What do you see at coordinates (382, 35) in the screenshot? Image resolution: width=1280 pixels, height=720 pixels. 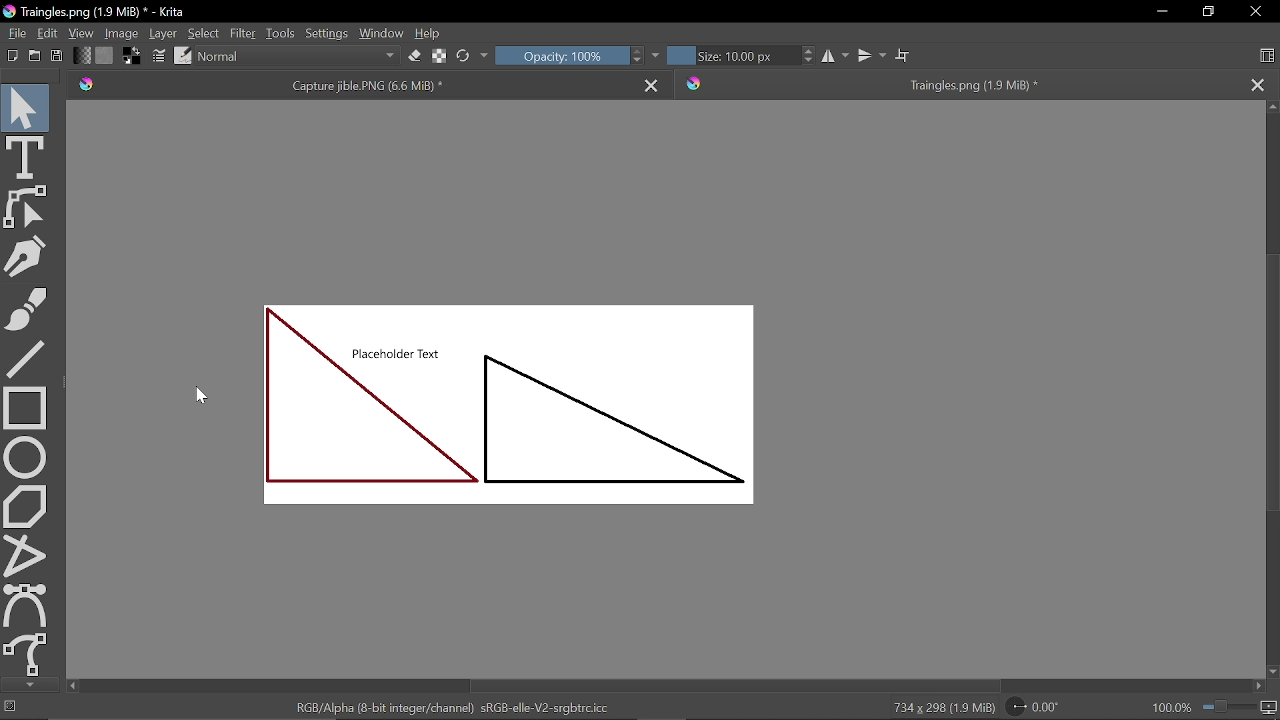 I see `Window` at bounding box center [382, 35].